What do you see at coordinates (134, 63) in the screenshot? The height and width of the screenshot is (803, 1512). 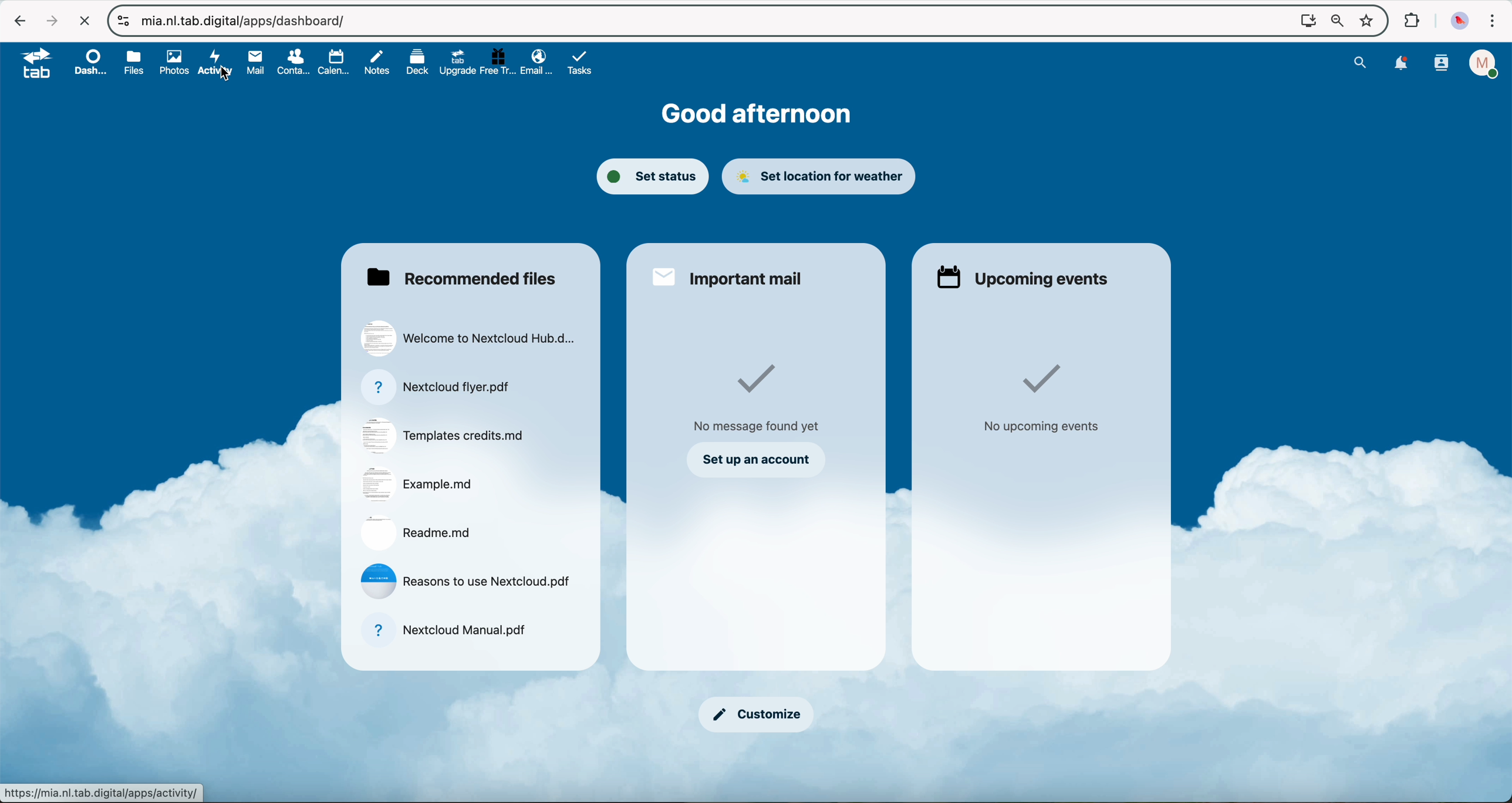 I see `files` at bounding box center [134, 63].